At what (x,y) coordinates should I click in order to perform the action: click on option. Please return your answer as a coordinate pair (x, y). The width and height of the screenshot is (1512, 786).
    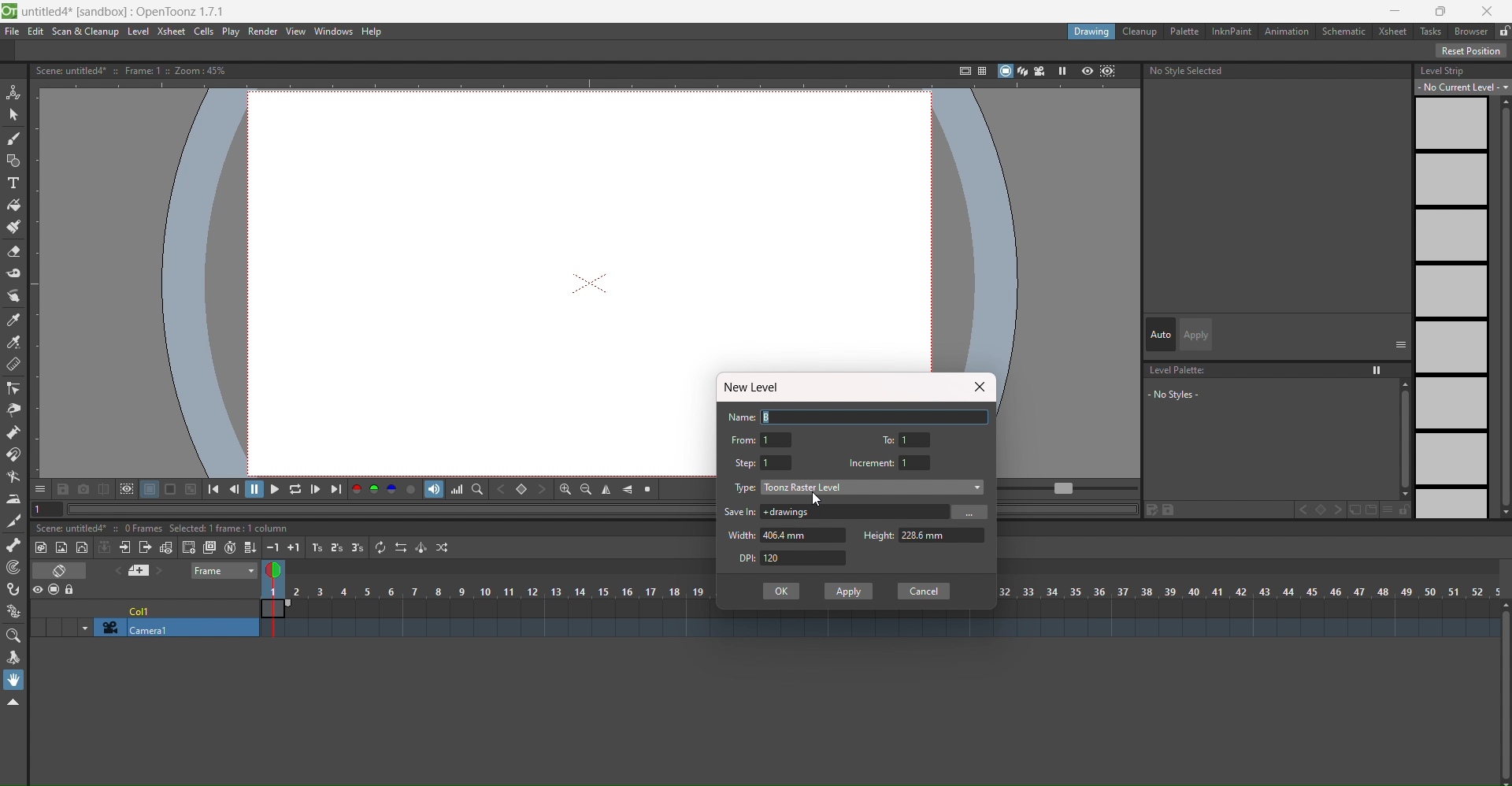
    Looking at the image, I should click on (1378, 370).